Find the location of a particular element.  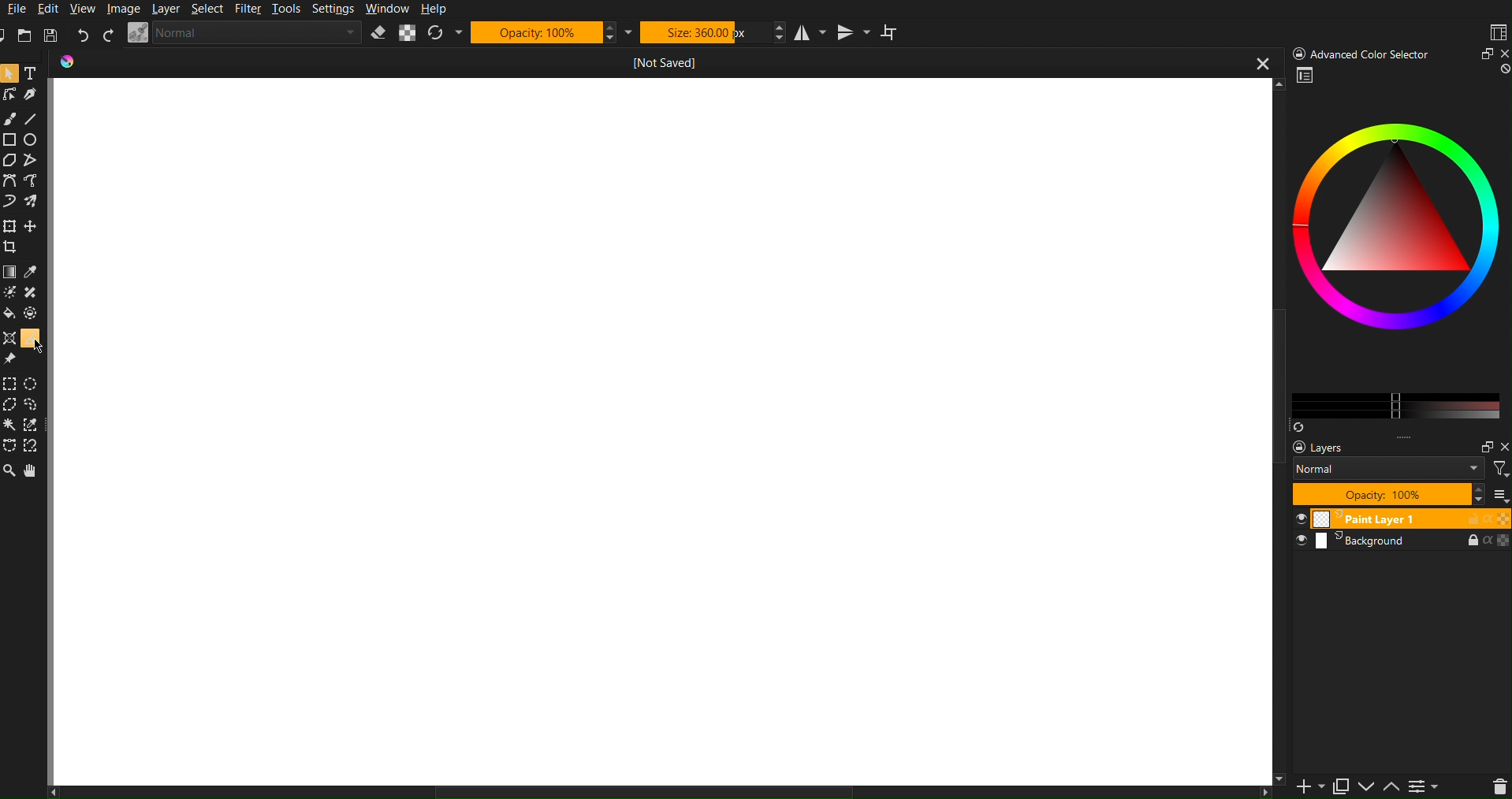

Magic Wand is located at coordinates (11, 426).